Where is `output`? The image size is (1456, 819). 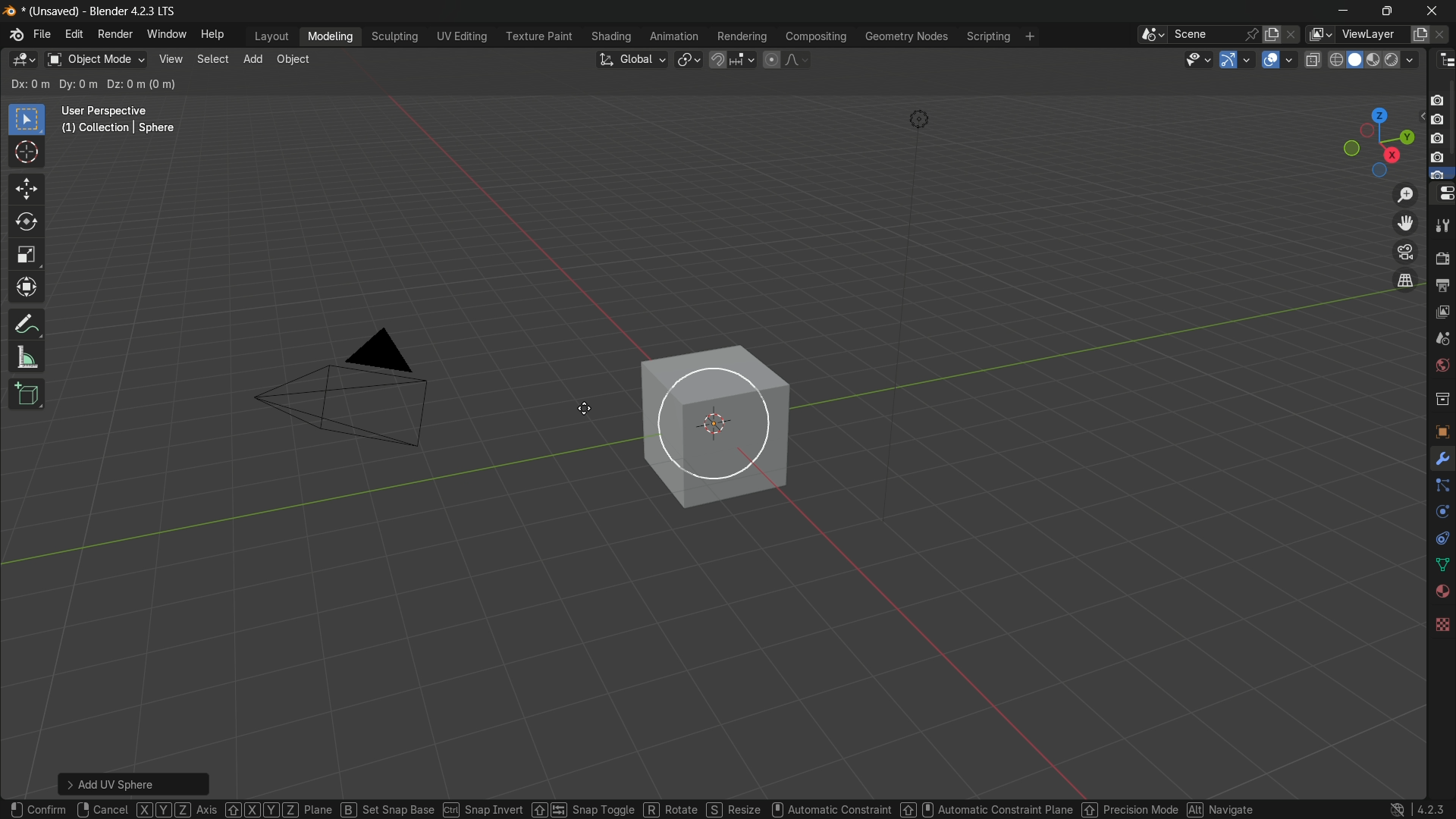
output is located at coordinates (1442, 284).